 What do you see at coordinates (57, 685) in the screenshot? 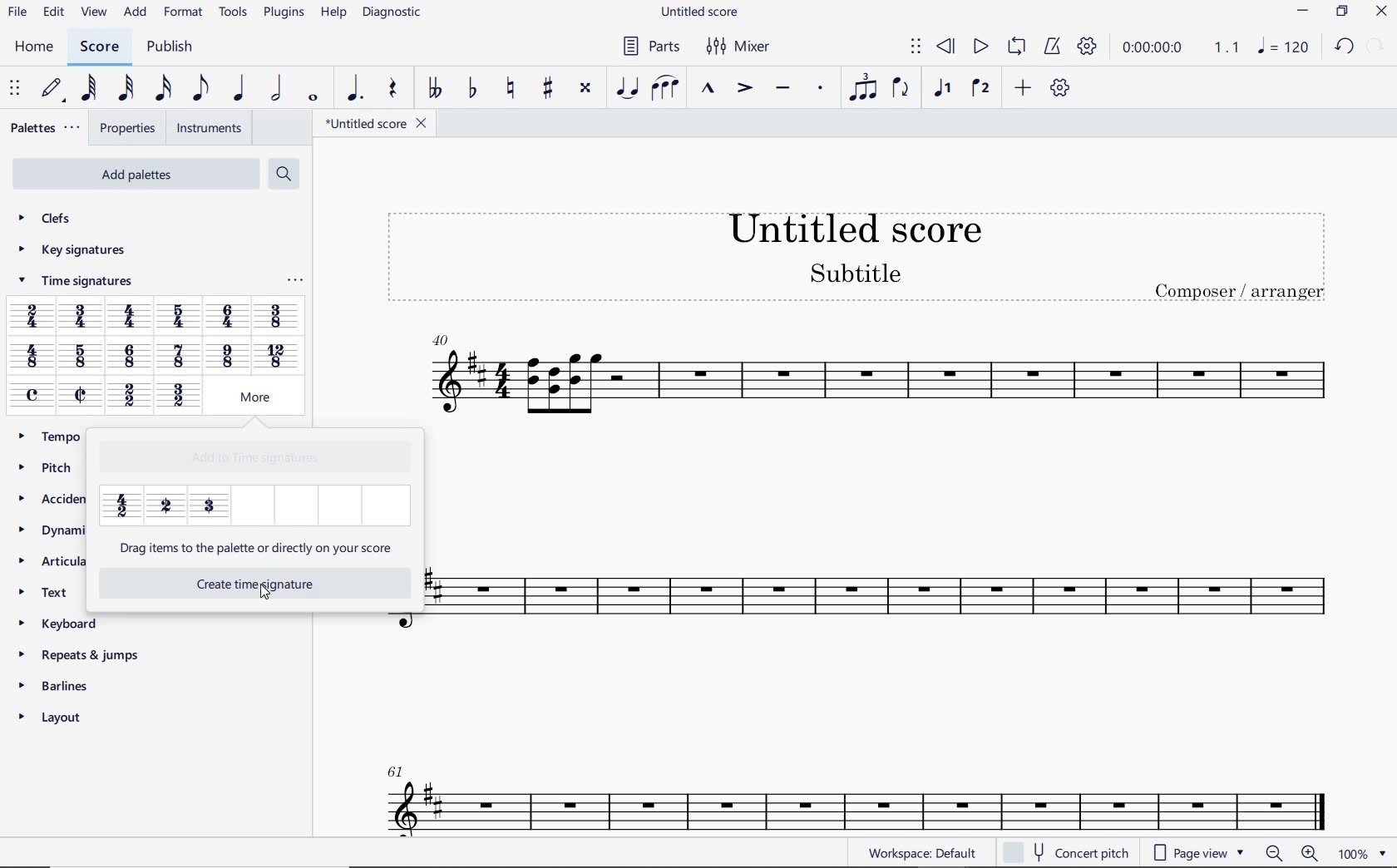
I see `BARLINES` at bounding box center [57, 685].